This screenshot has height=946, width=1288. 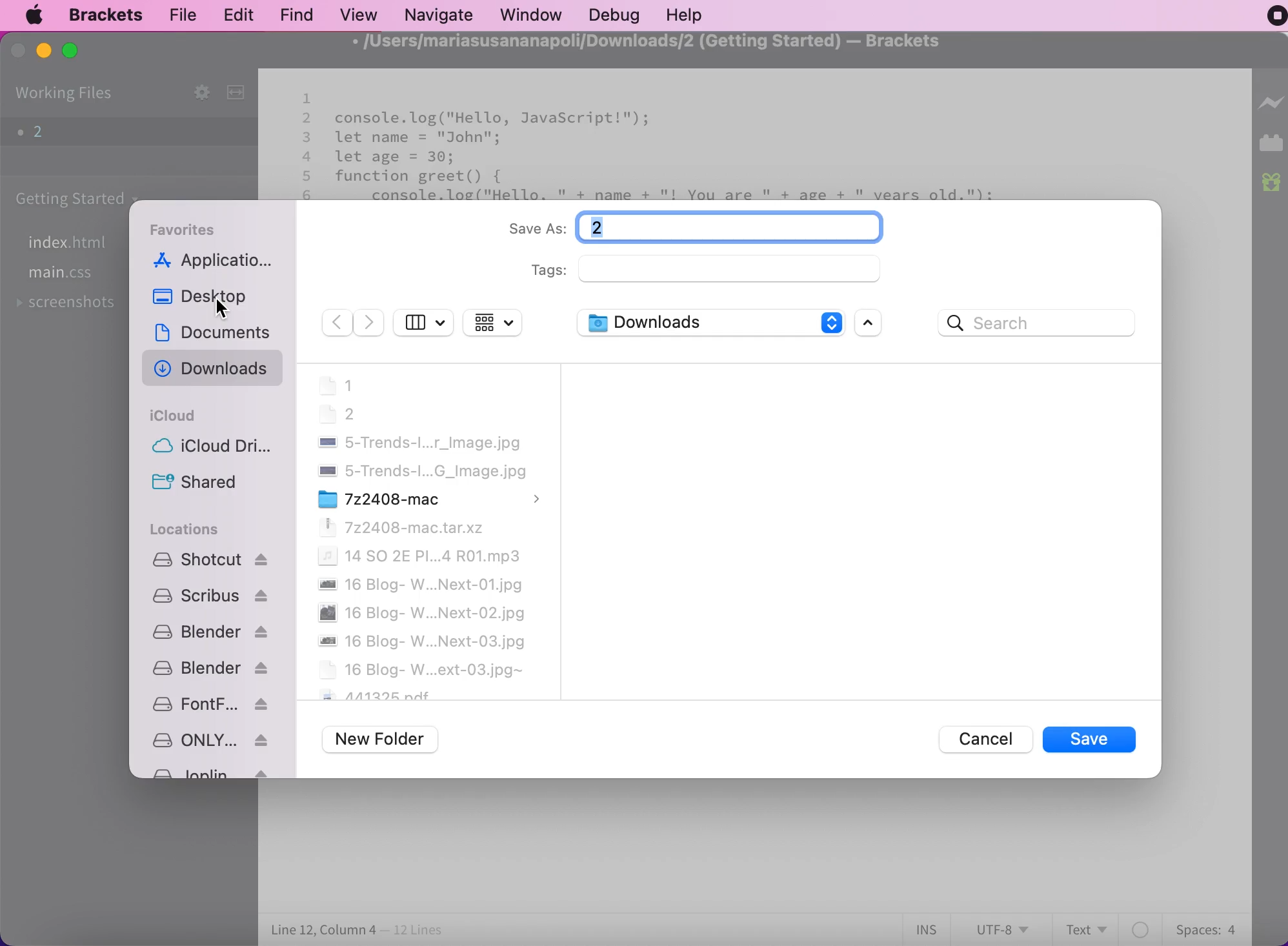 I want to click on /Users/mariasusananapoli/Downloads/2 (Getting Started) — Brackets, so click(x=641, y=42).